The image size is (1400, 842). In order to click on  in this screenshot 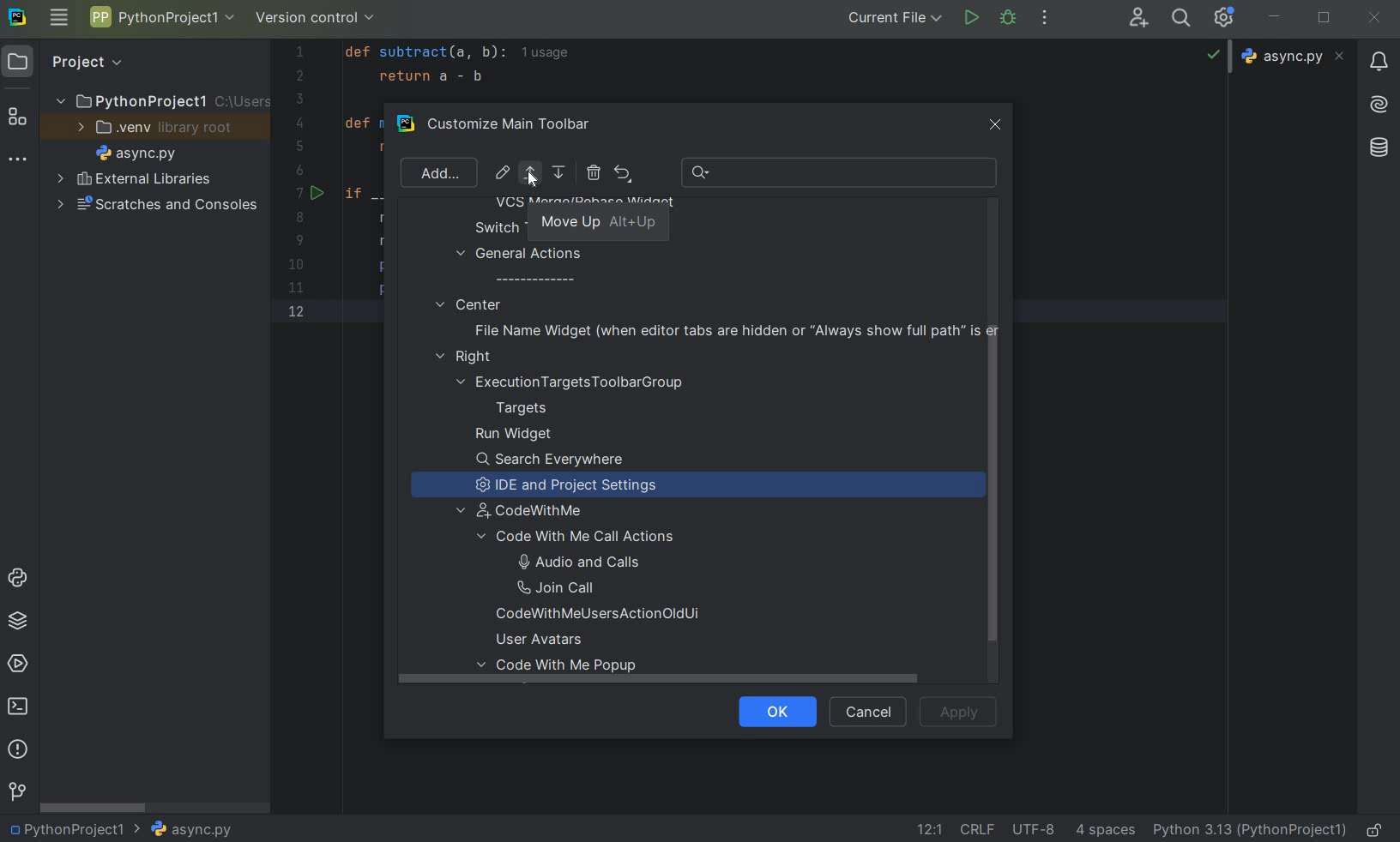, I will do `click(1379, 102)`.